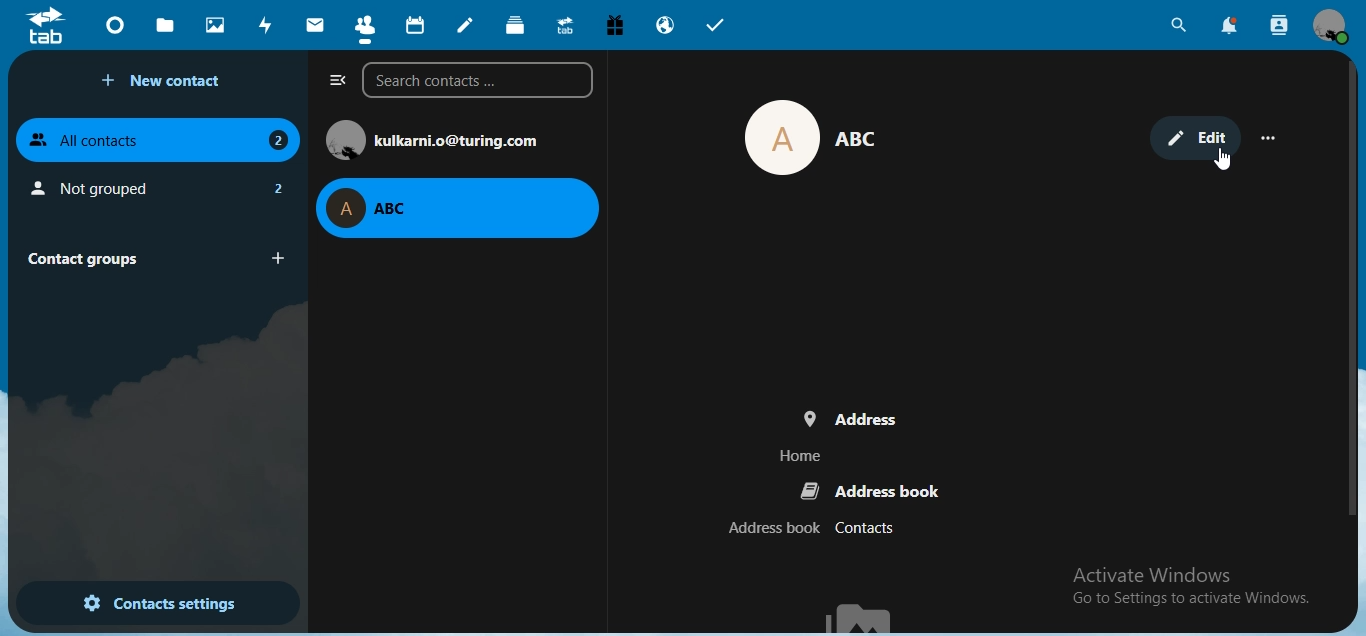  What do you see at coordinates (563, 24) in the screenshot?
I see `upgrade` at bounding box center [563, 24].